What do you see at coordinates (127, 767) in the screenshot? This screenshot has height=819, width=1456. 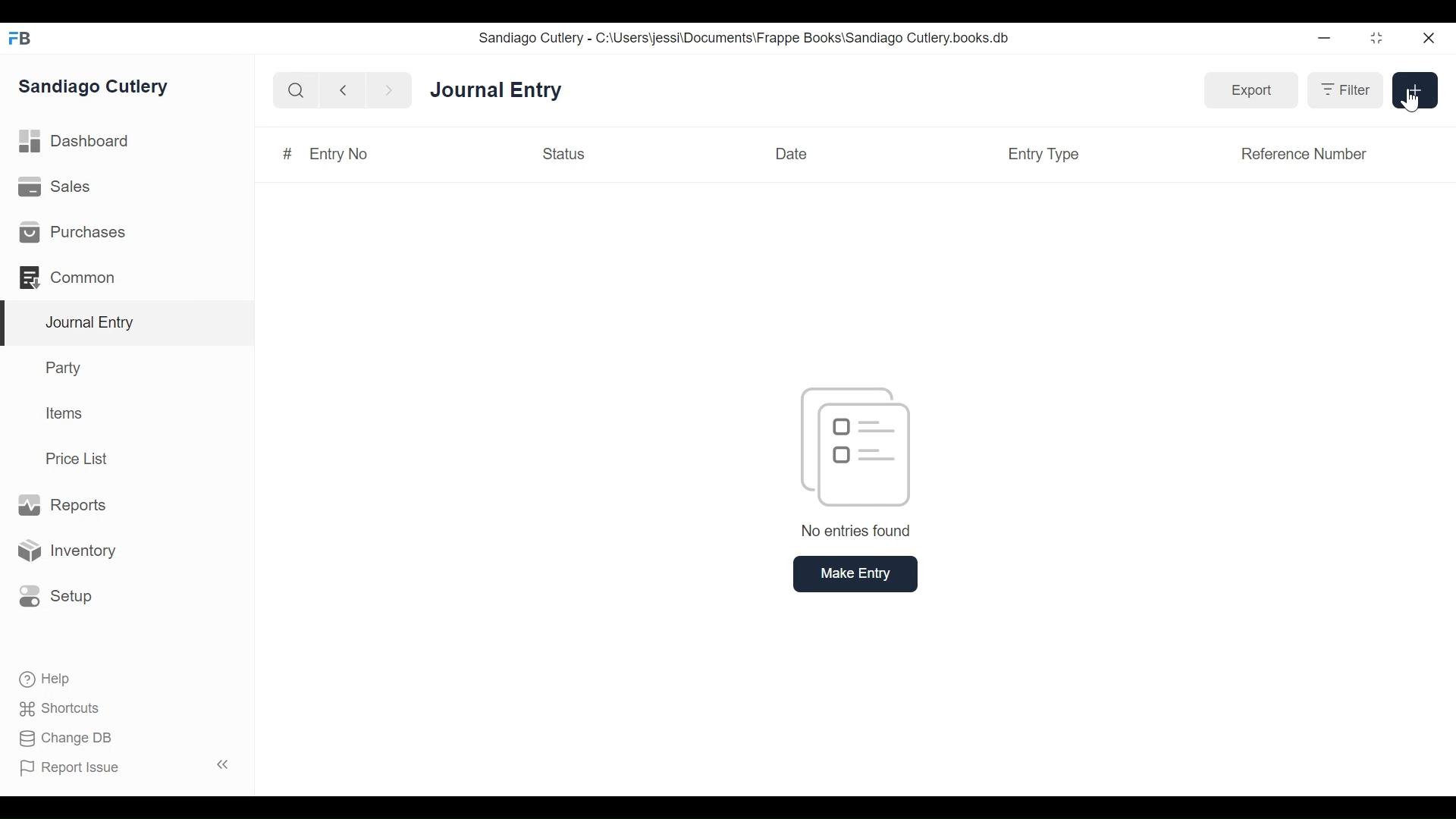 I see `Report Issue` at bounding box center [127, 767].